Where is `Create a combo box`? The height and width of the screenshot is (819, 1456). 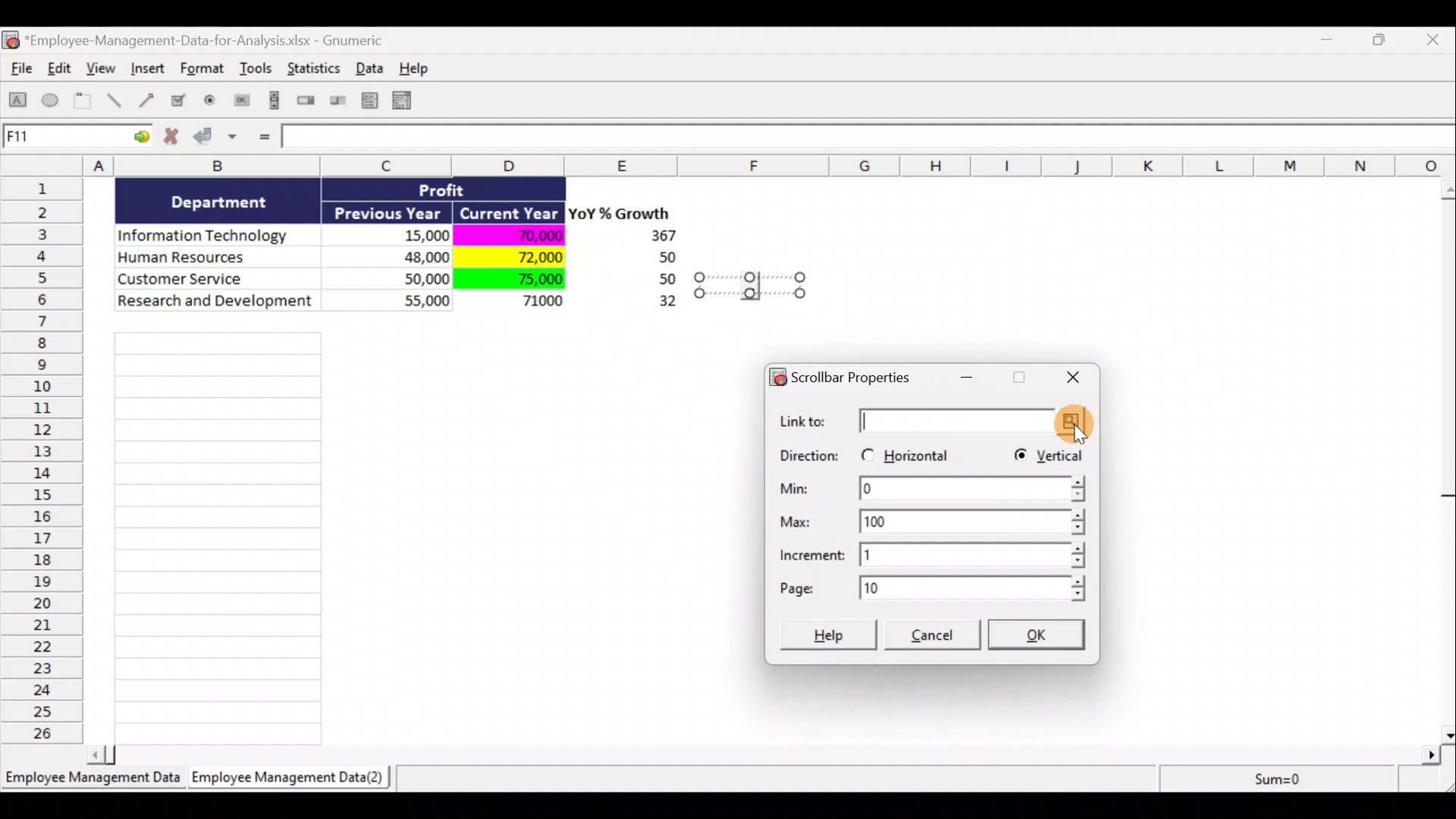 Create a combo box is located at coordinates (409, 101).